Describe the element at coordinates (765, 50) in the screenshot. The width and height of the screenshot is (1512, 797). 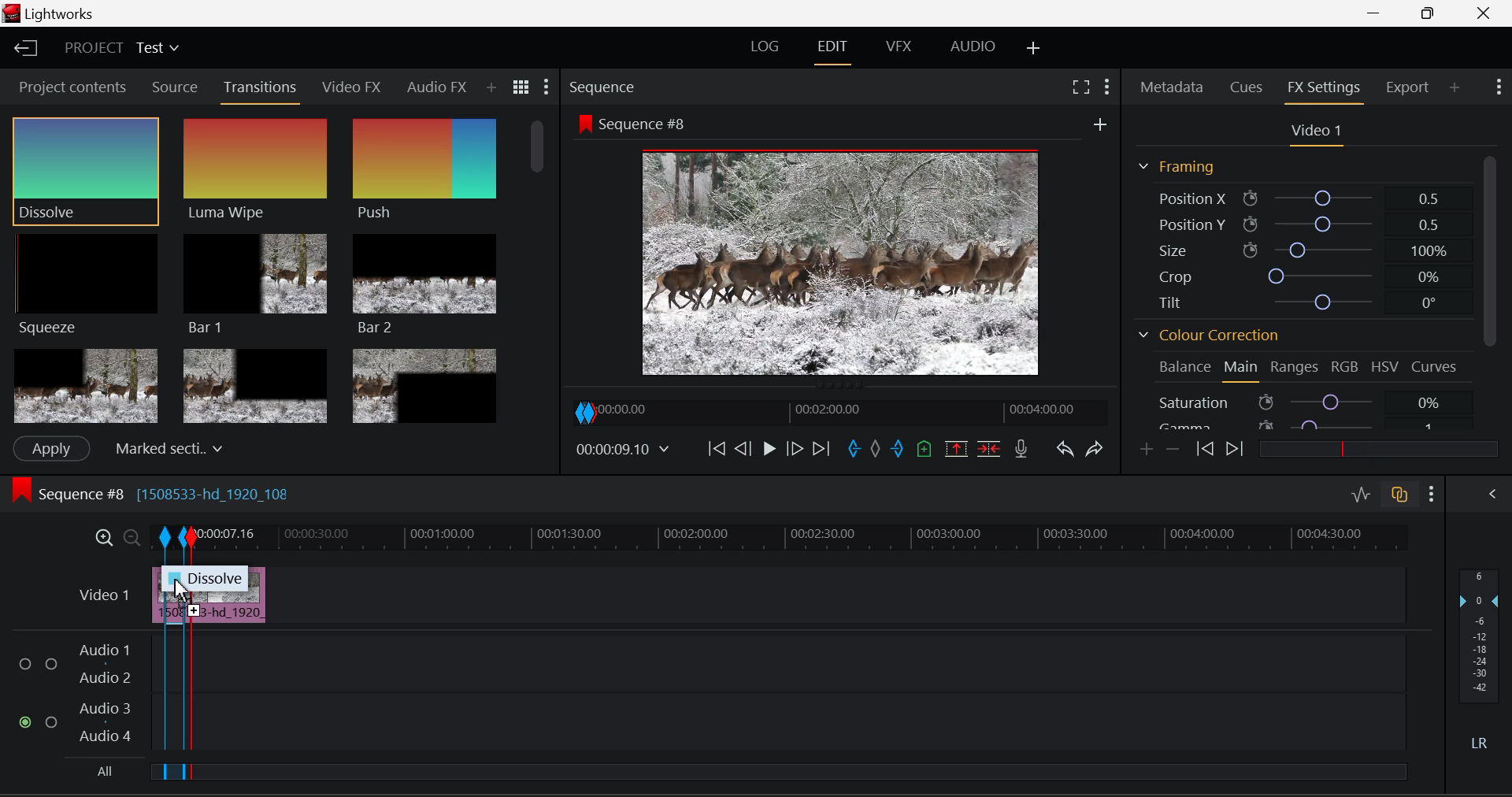
I see `LOG Layout` at that location.